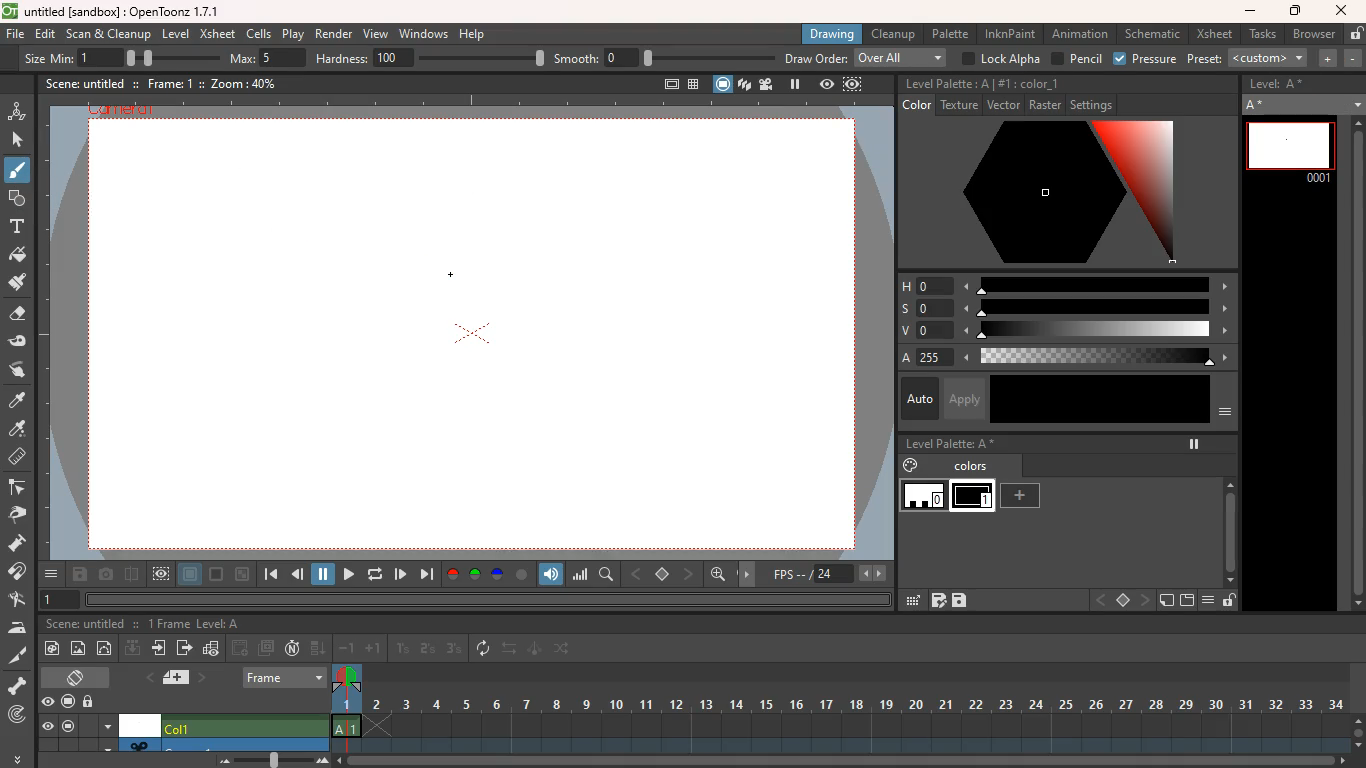  I want to click on scale, so click(1097, 332).